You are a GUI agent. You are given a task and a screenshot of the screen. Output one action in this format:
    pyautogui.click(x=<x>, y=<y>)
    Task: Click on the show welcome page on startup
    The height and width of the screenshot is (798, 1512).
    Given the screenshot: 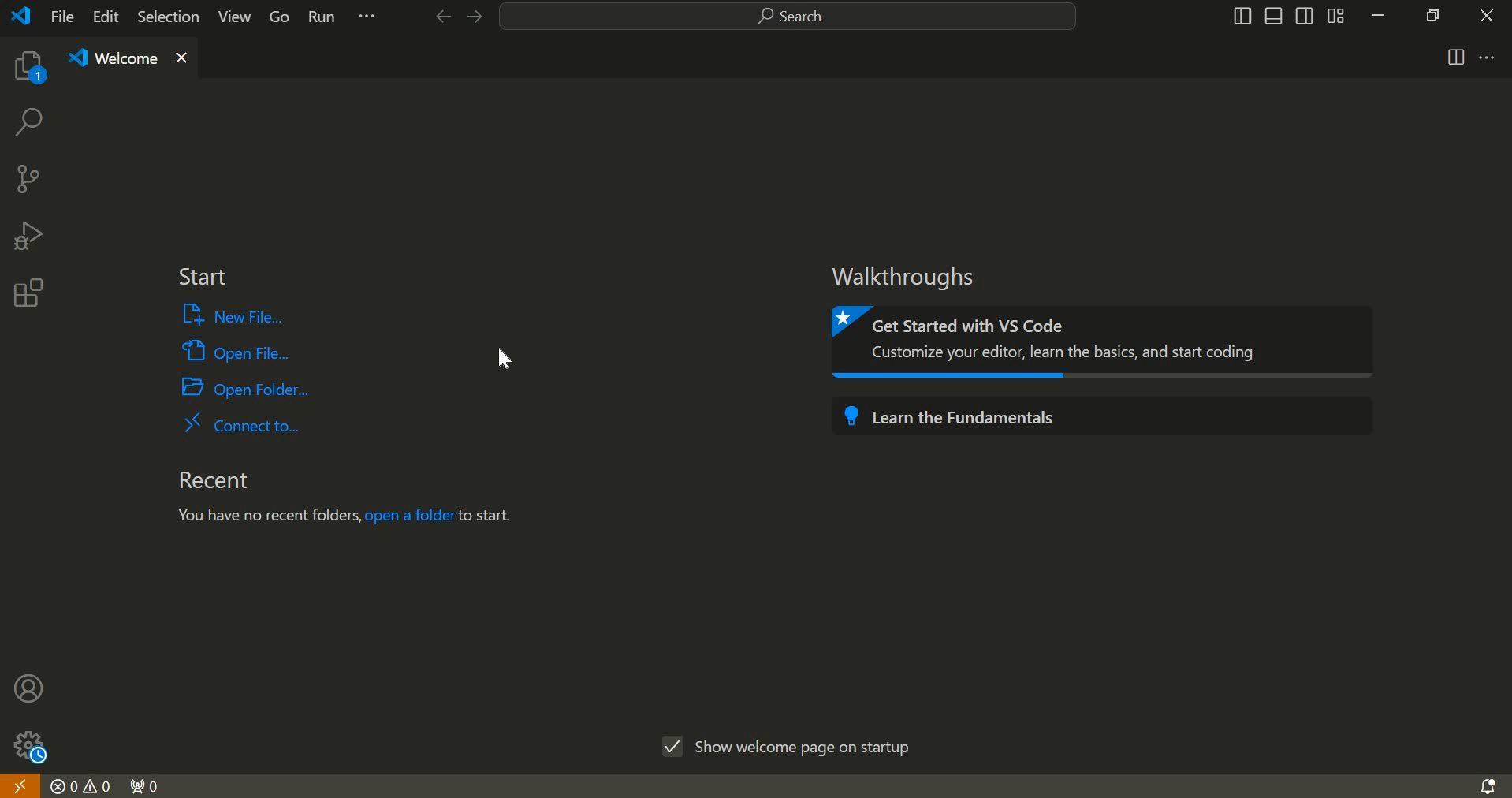 What is the action you would take?
    pyautogui.click(x=791, y=744)
    